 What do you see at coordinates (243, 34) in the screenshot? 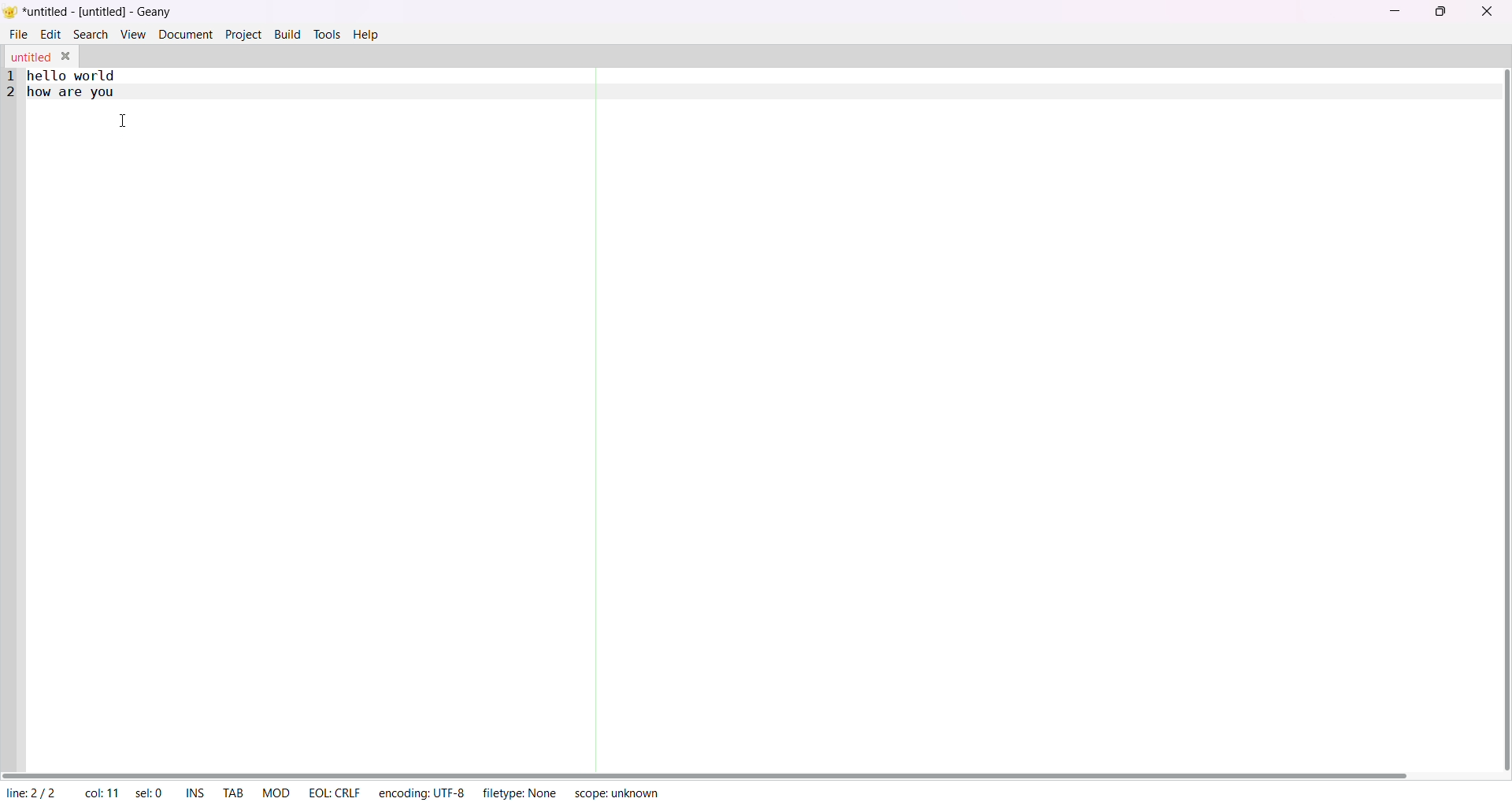
I see `project` at bounding box center [243, 34].